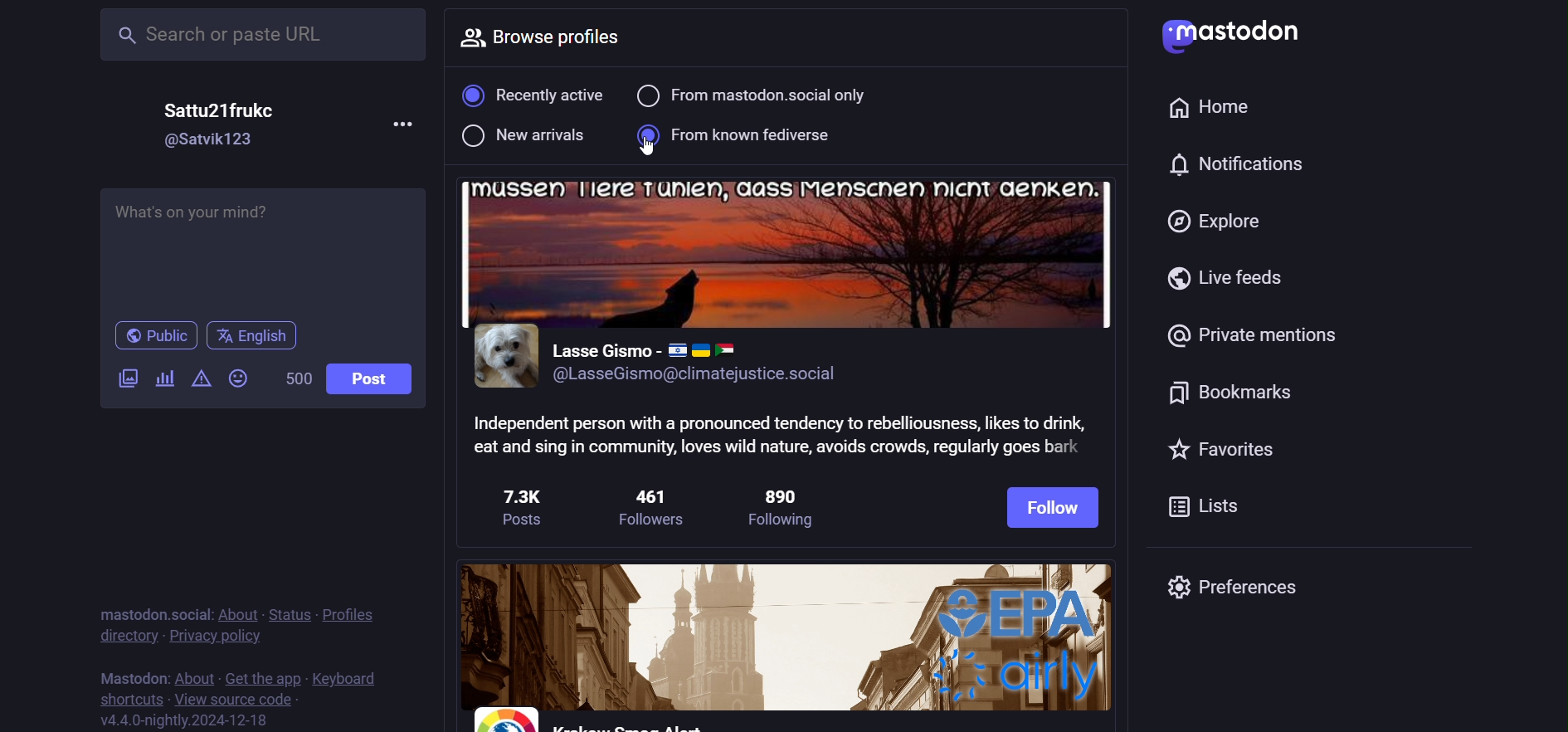 The image size is (1568, 732). What do you see at coordinates (129, 699) in the screenshot?
I see `shortcut` at bounding box center [129, 699].